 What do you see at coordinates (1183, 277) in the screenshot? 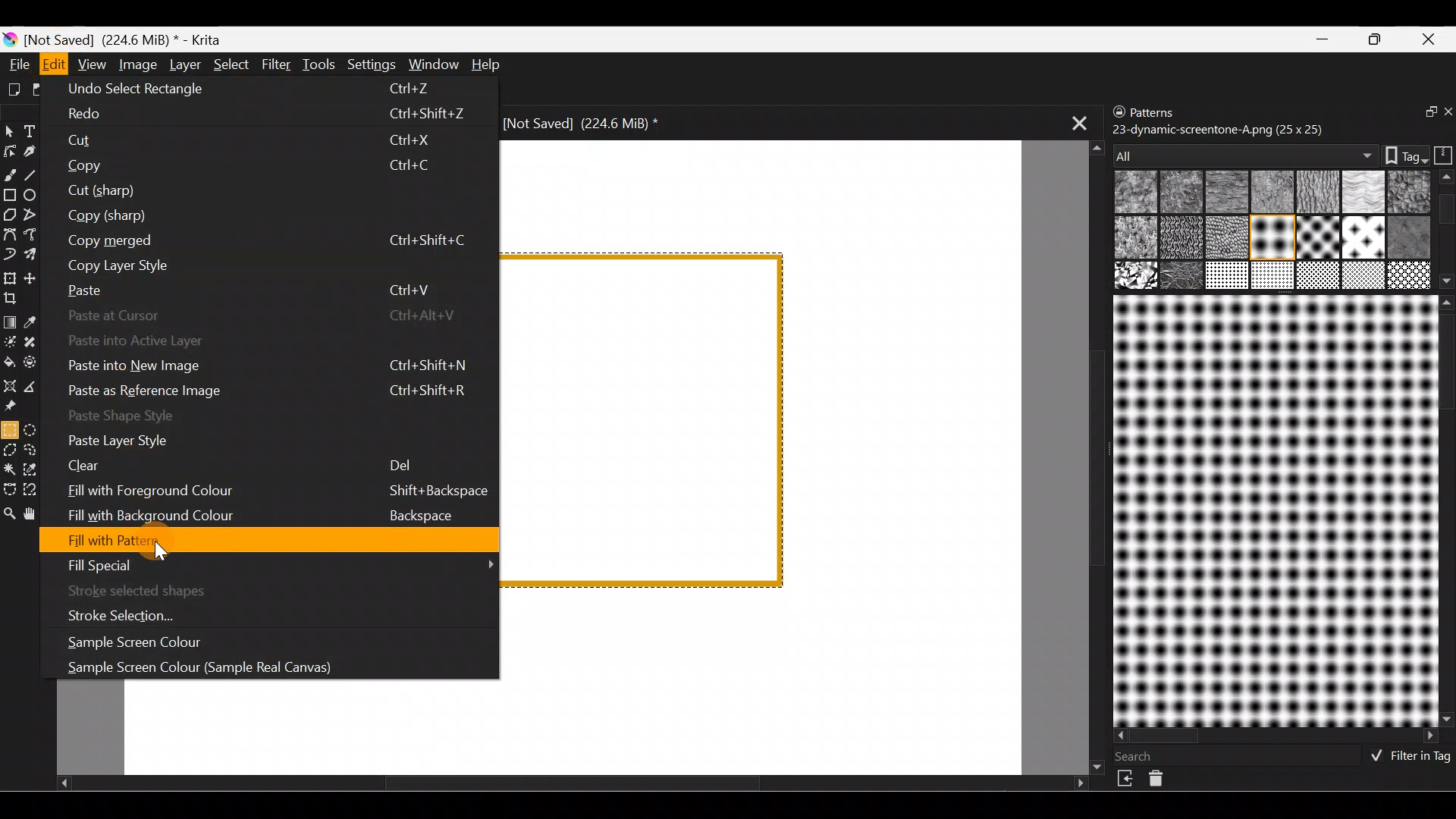
I see `15 texture_rockb.png` at bounding box center [1183, 277].